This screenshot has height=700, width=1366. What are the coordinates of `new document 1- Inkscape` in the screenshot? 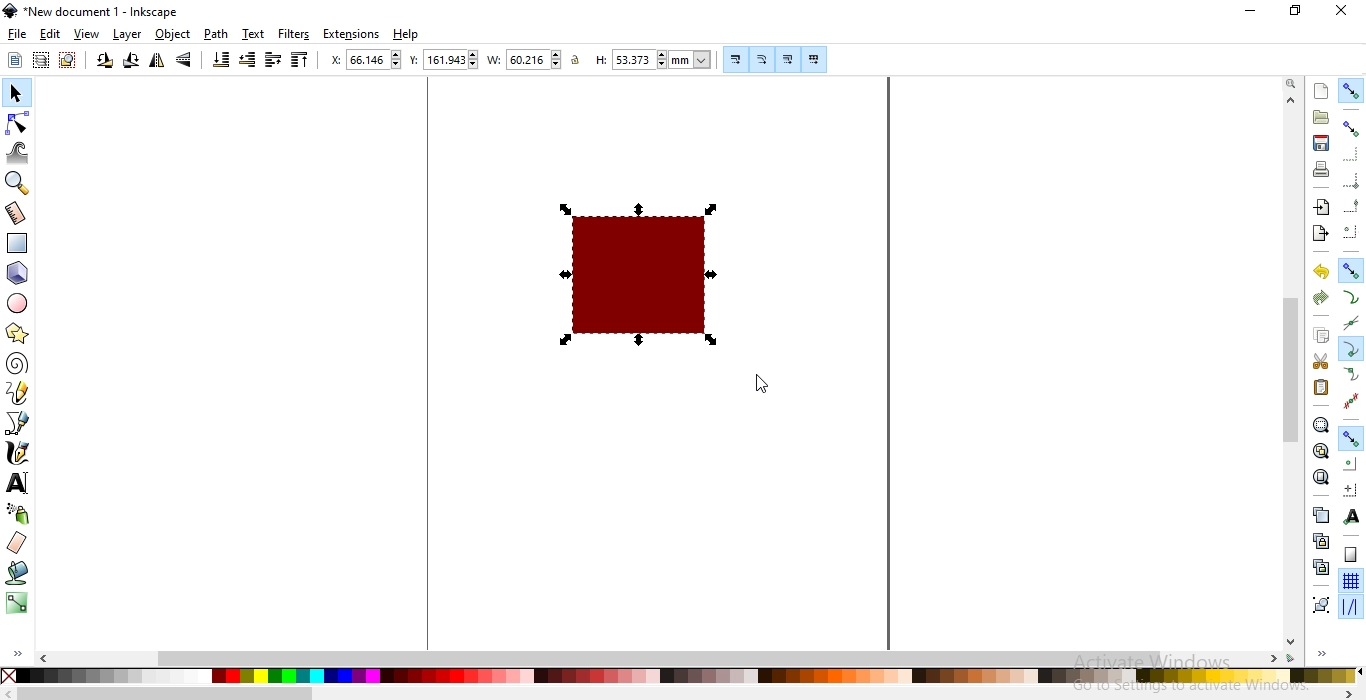 It's located at (98, 12).